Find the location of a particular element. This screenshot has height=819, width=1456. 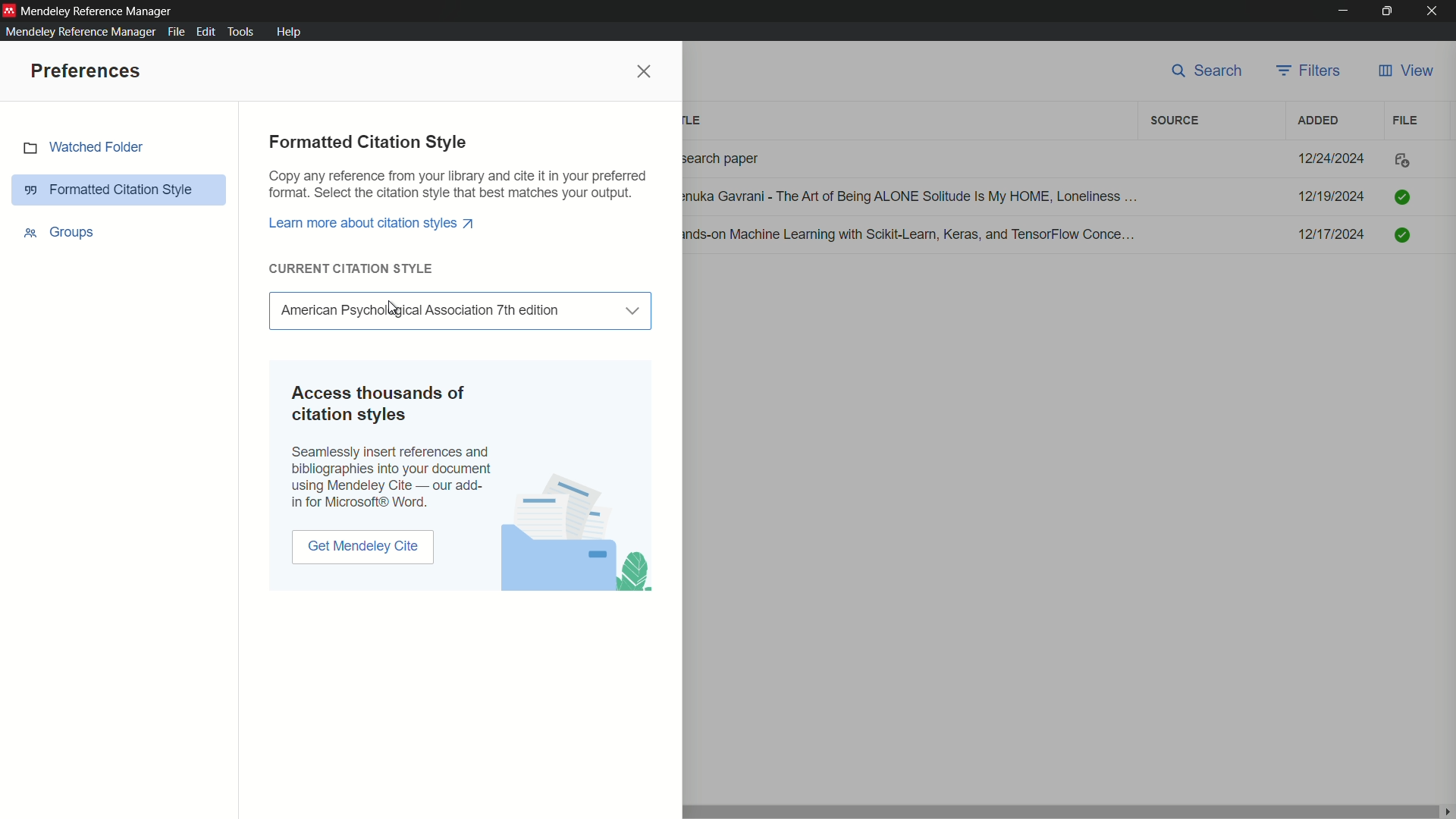

help menu is located at coordinates (288, 32).